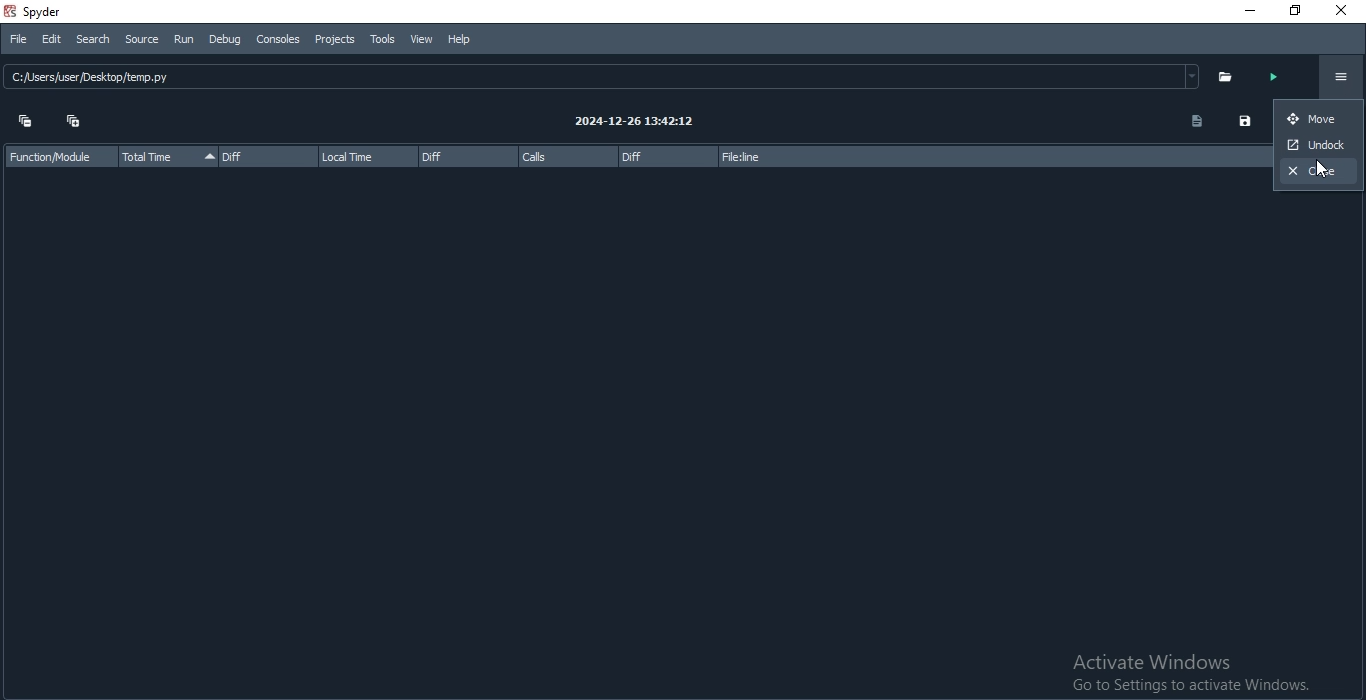 The height and width of the screenshot is (700, 1366). I want to click on document, so click(1193, 122).